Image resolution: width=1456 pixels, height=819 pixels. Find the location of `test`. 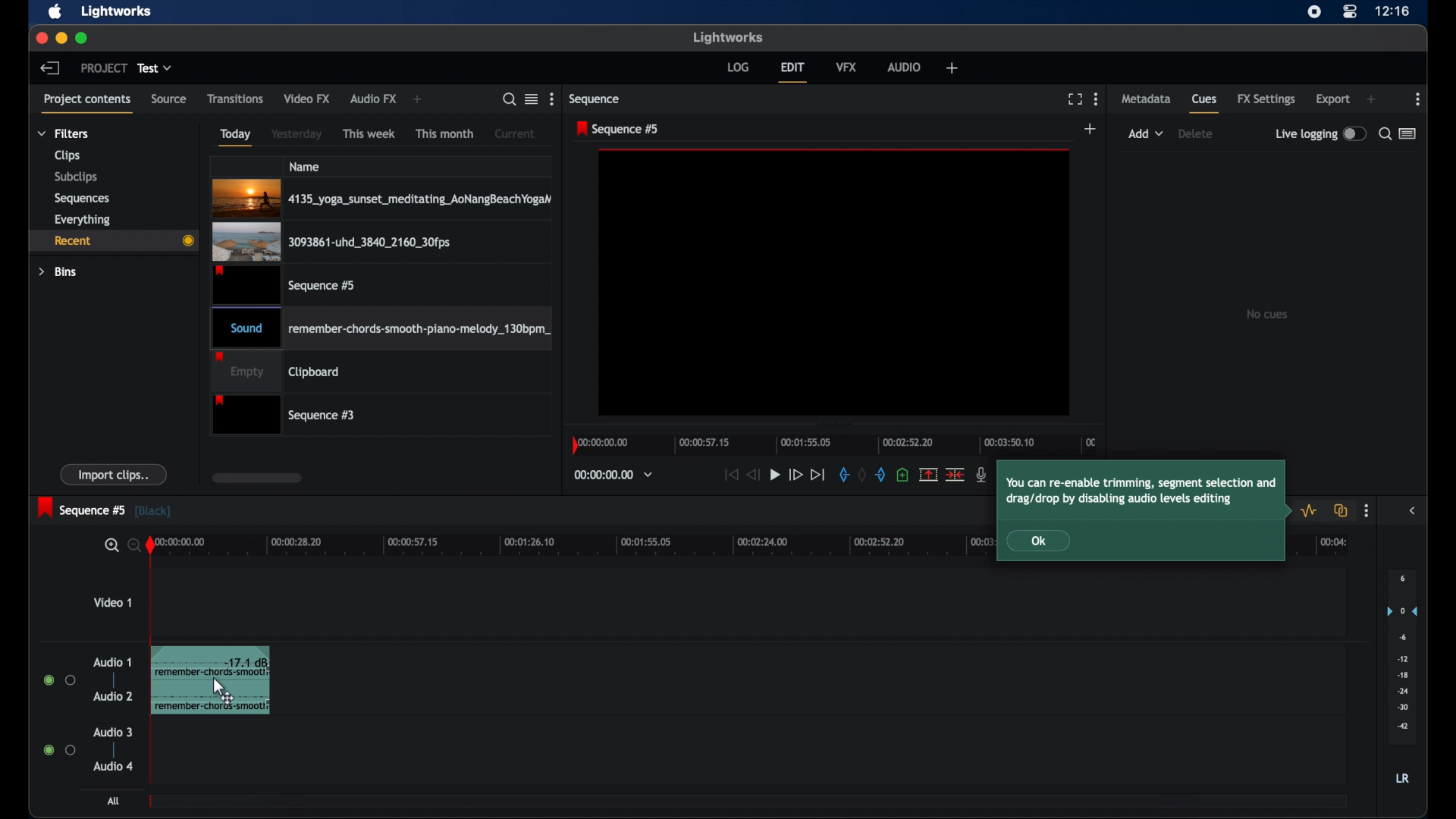

test is located at coordinates (156, 68).